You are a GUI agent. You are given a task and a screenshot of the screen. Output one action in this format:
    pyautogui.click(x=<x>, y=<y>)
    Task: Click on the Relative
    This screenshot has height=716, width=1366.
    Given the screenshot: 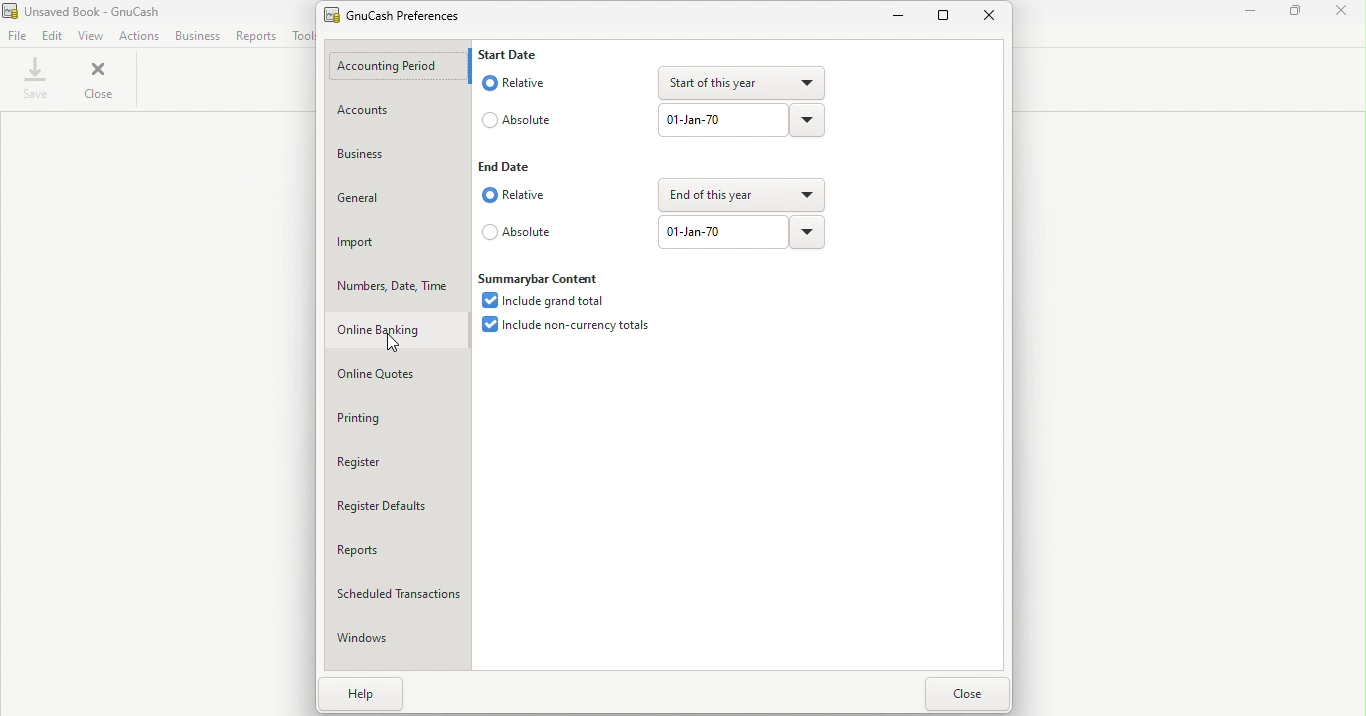 What is the action you would take?
    pyautogui.click(x=515, y=84)
    